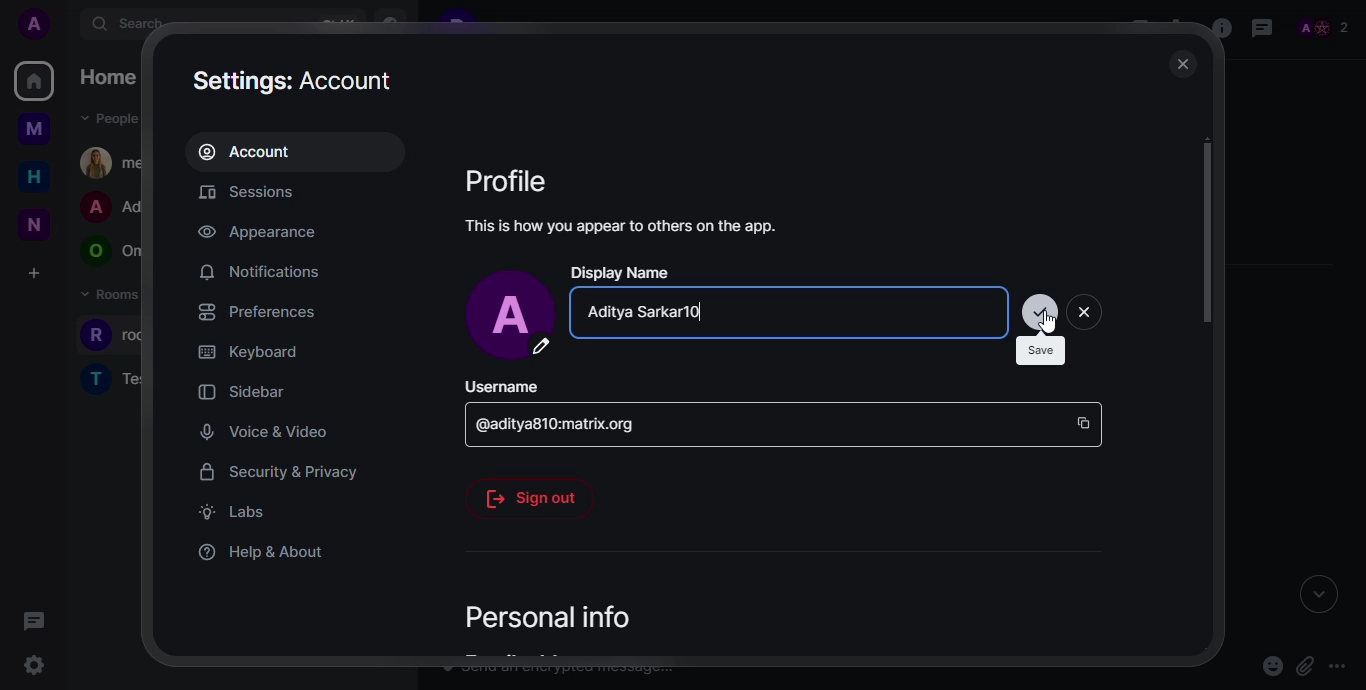 The width and height of the screenshot is (1366, 690). Describe the element at coordinates (624, 225) in the screenshot. I see `info` at that location.